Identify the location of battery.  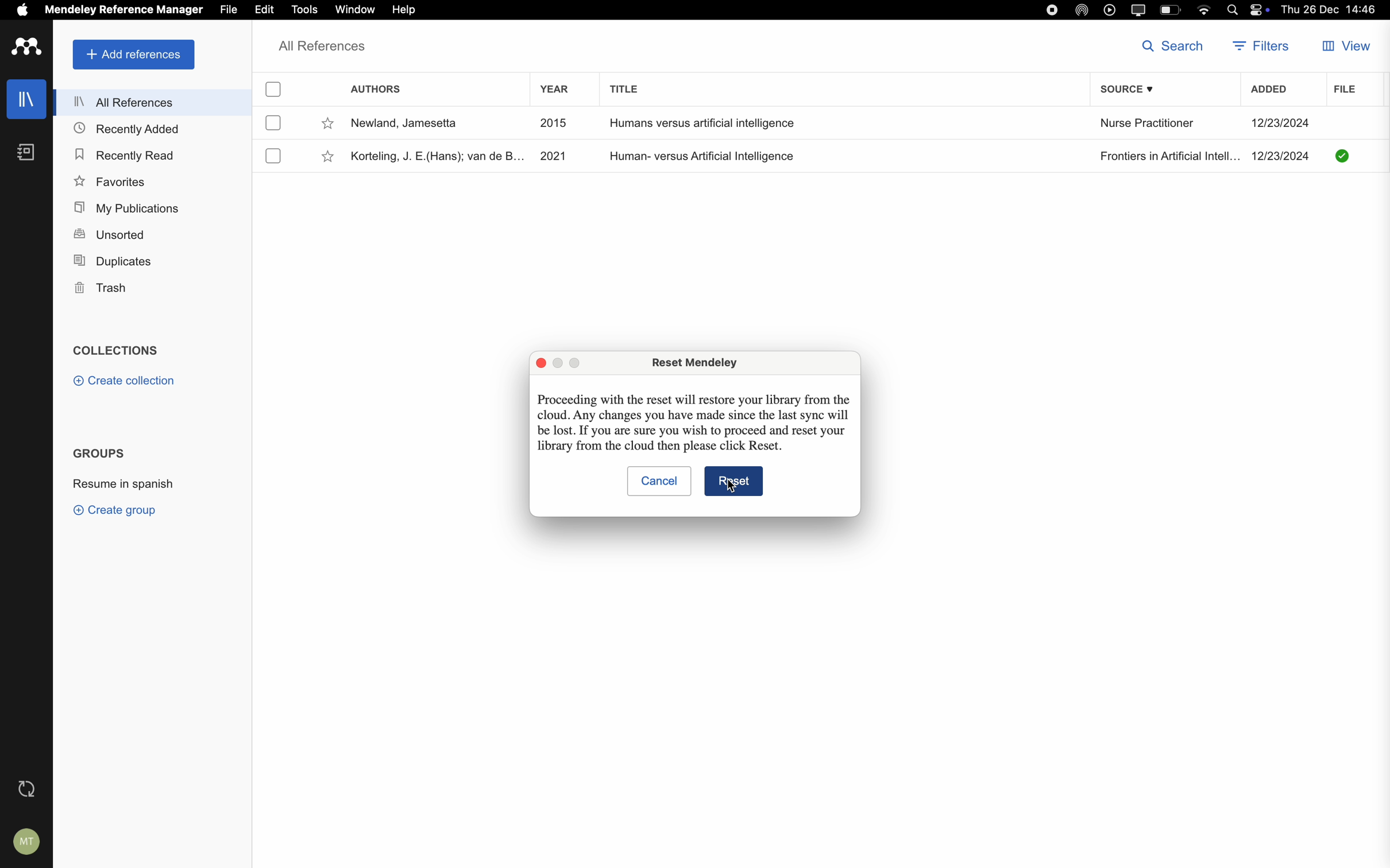
(1171, 10).